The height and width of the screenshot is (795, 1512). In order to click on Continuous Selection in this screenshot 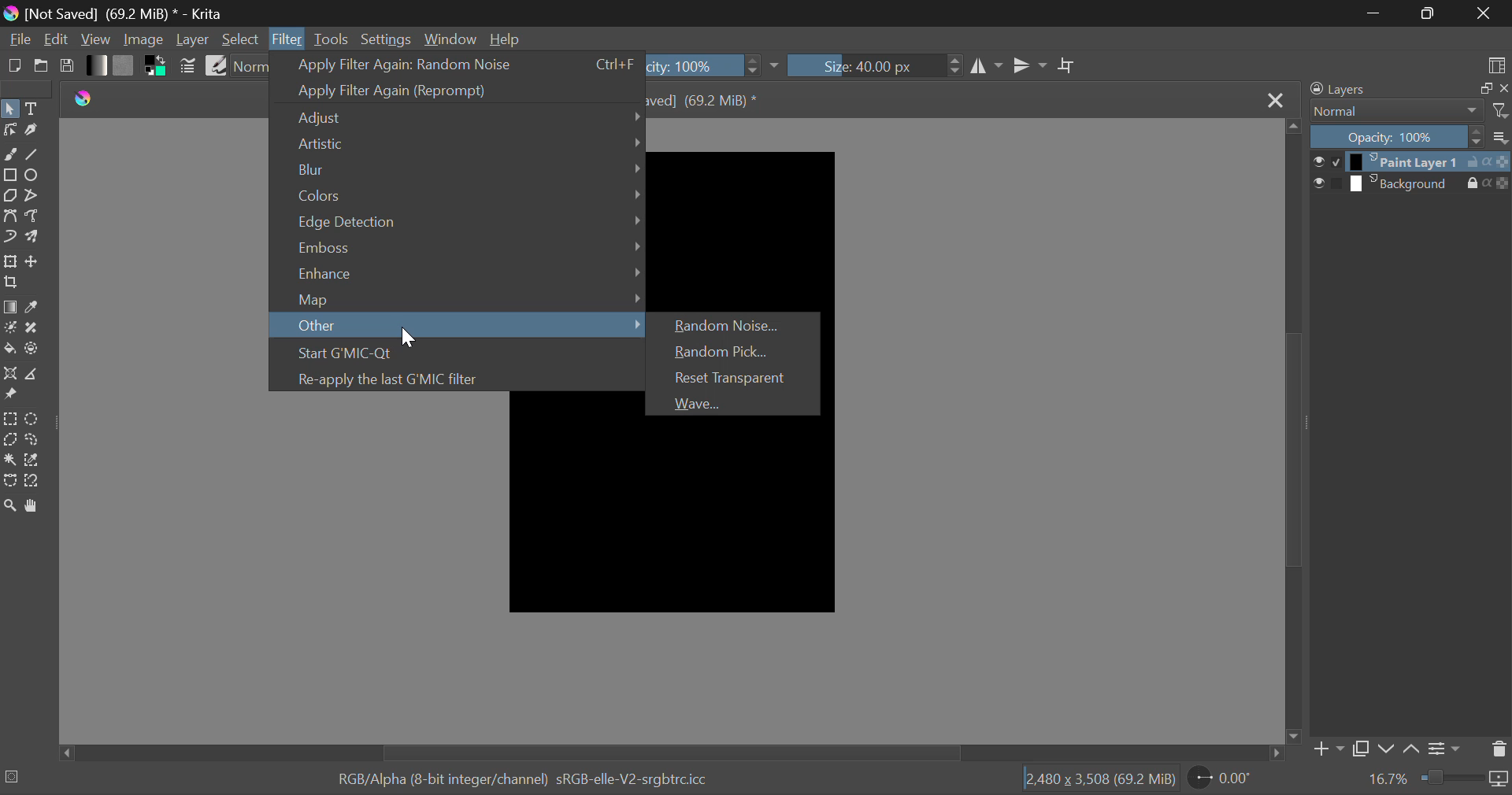, I will do `click(11, 461)`.